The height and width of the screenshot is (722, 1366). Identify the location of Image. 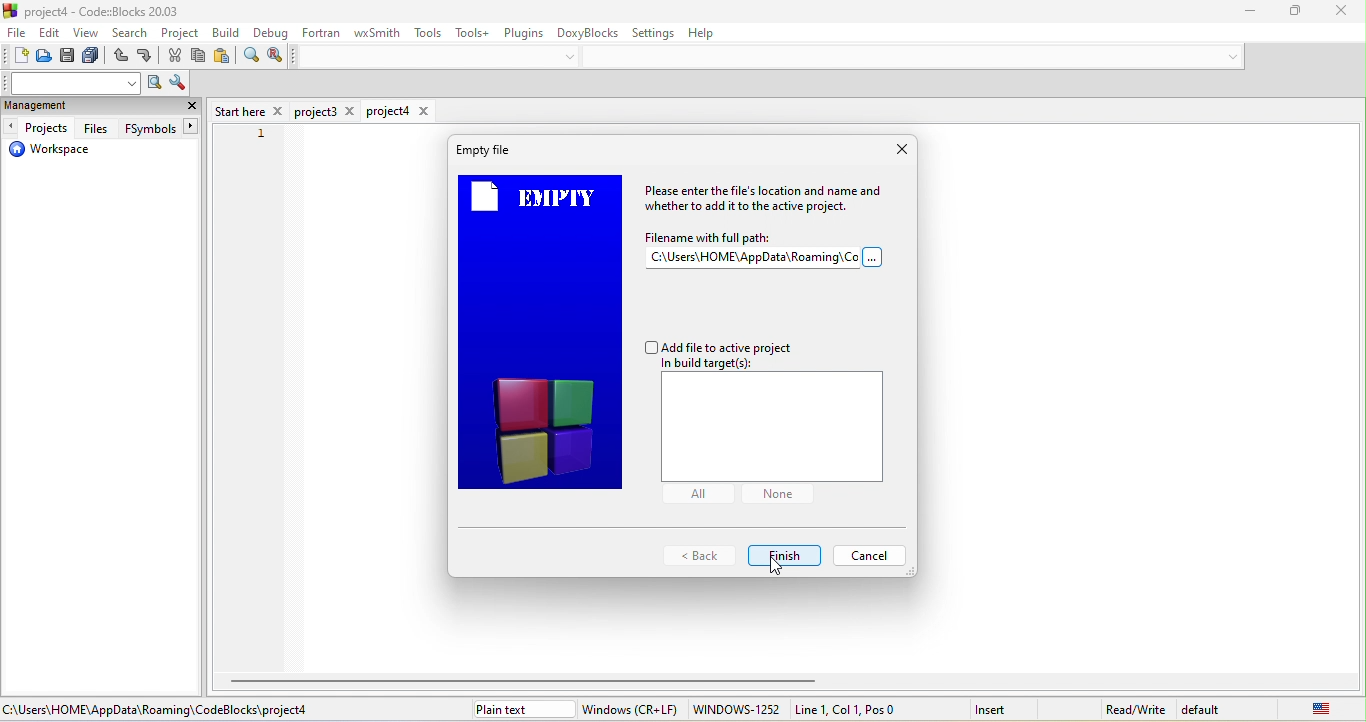
(541, 334).